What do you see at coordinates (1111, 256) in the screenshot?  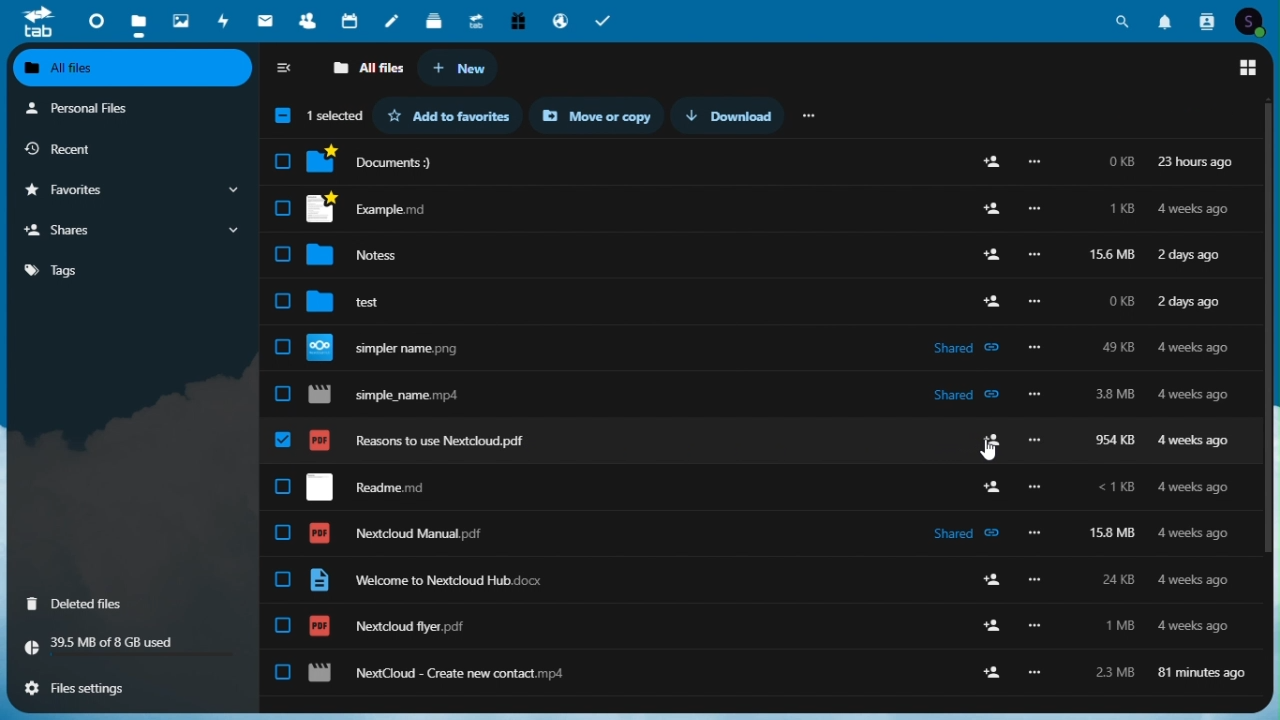 I see `156 kb` at bounding box center [1111, 256].